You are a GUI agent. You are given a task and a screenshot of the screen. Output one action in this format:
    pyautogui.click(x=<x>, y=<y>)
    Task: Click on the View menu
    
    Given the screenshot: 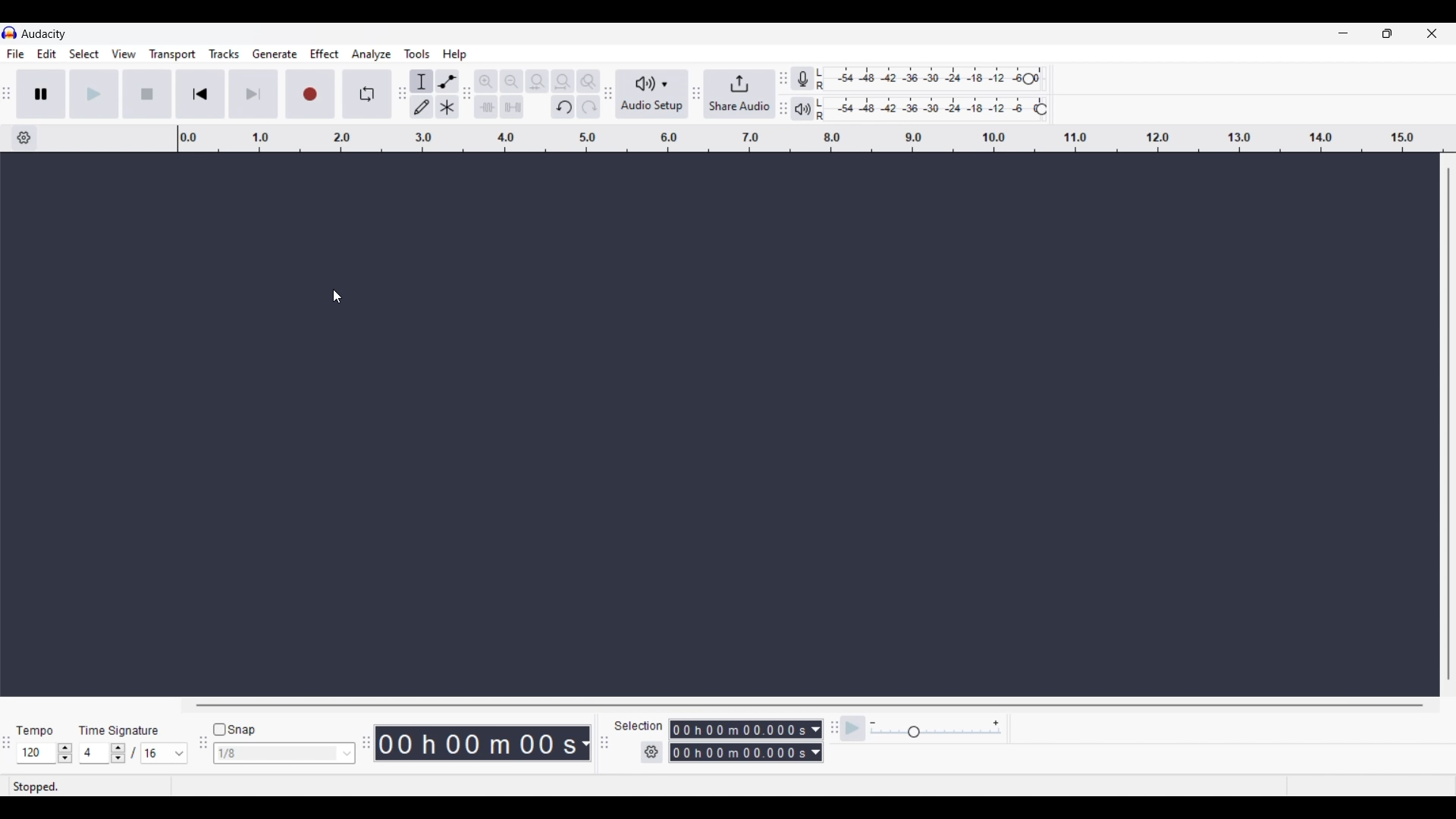 What is the action you would take?
    pyautogui.click(x=124, y=54)
    